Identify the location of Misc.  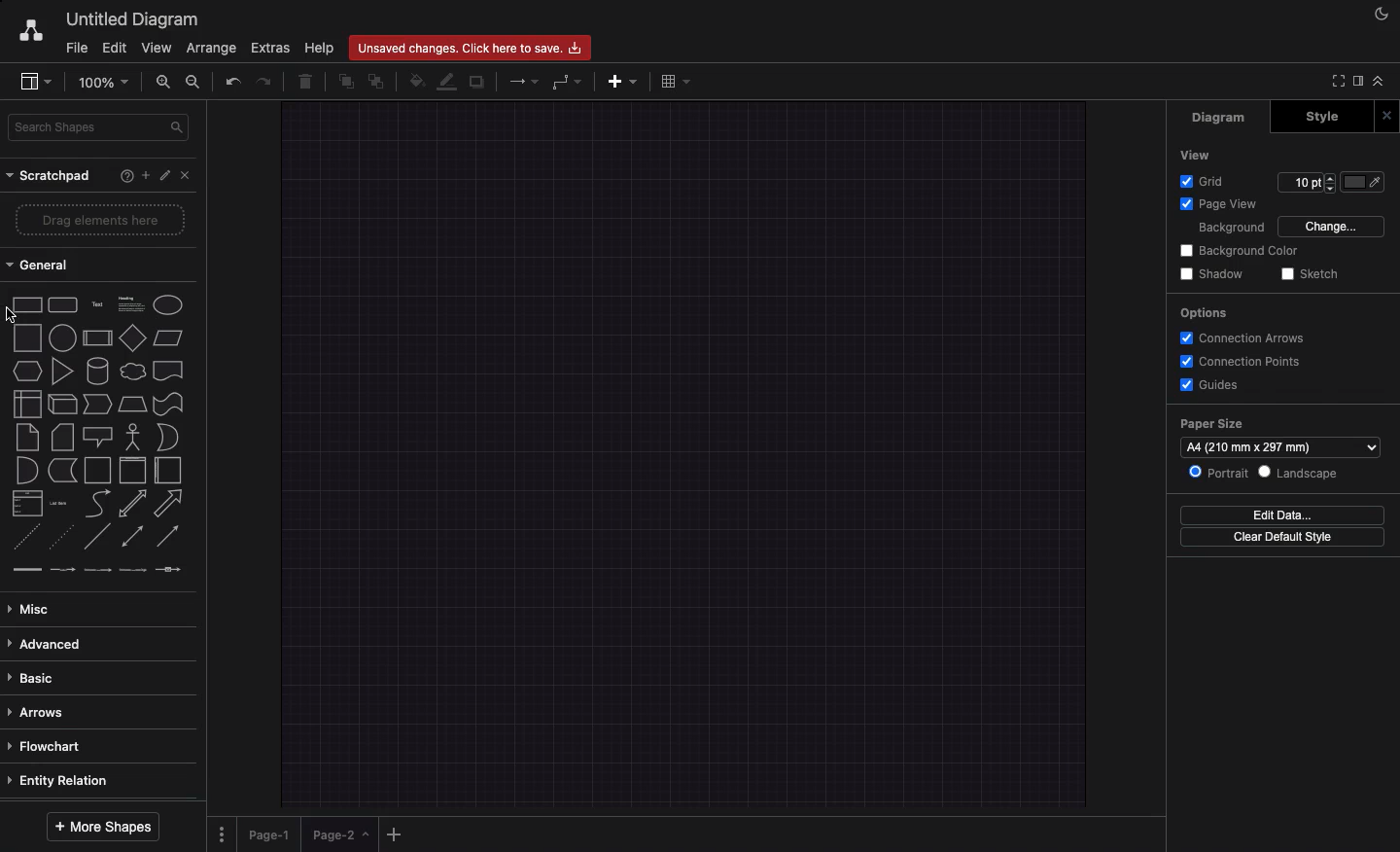
(34, 604).